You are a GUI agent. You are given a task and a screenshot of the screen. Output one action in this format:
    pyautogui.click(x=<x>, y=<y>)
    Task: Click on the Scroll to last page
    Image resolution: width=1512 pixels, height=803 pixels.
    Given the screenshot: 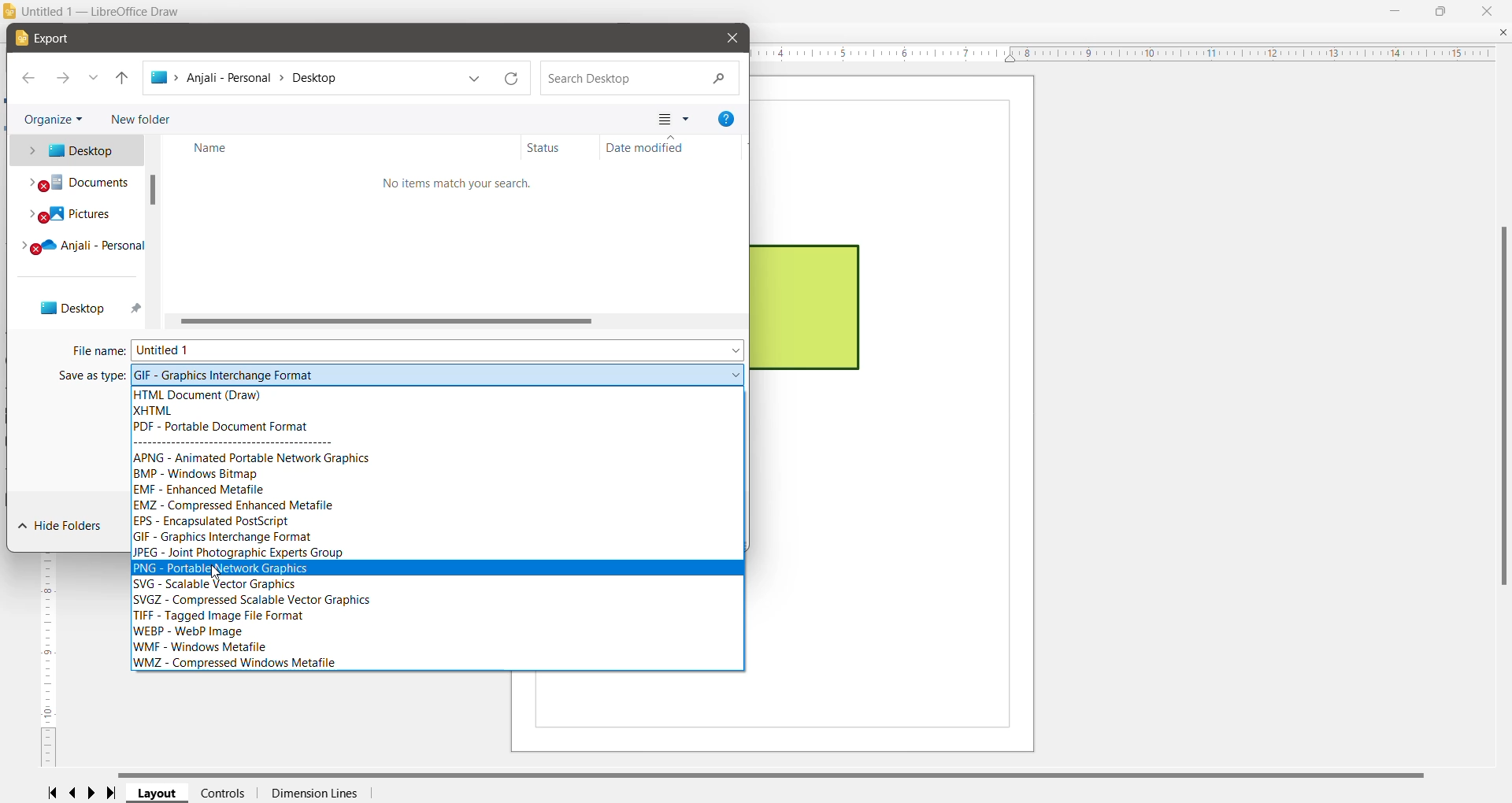 What is the action you would take?
    pyautogui.click(x=116, y=794)
    